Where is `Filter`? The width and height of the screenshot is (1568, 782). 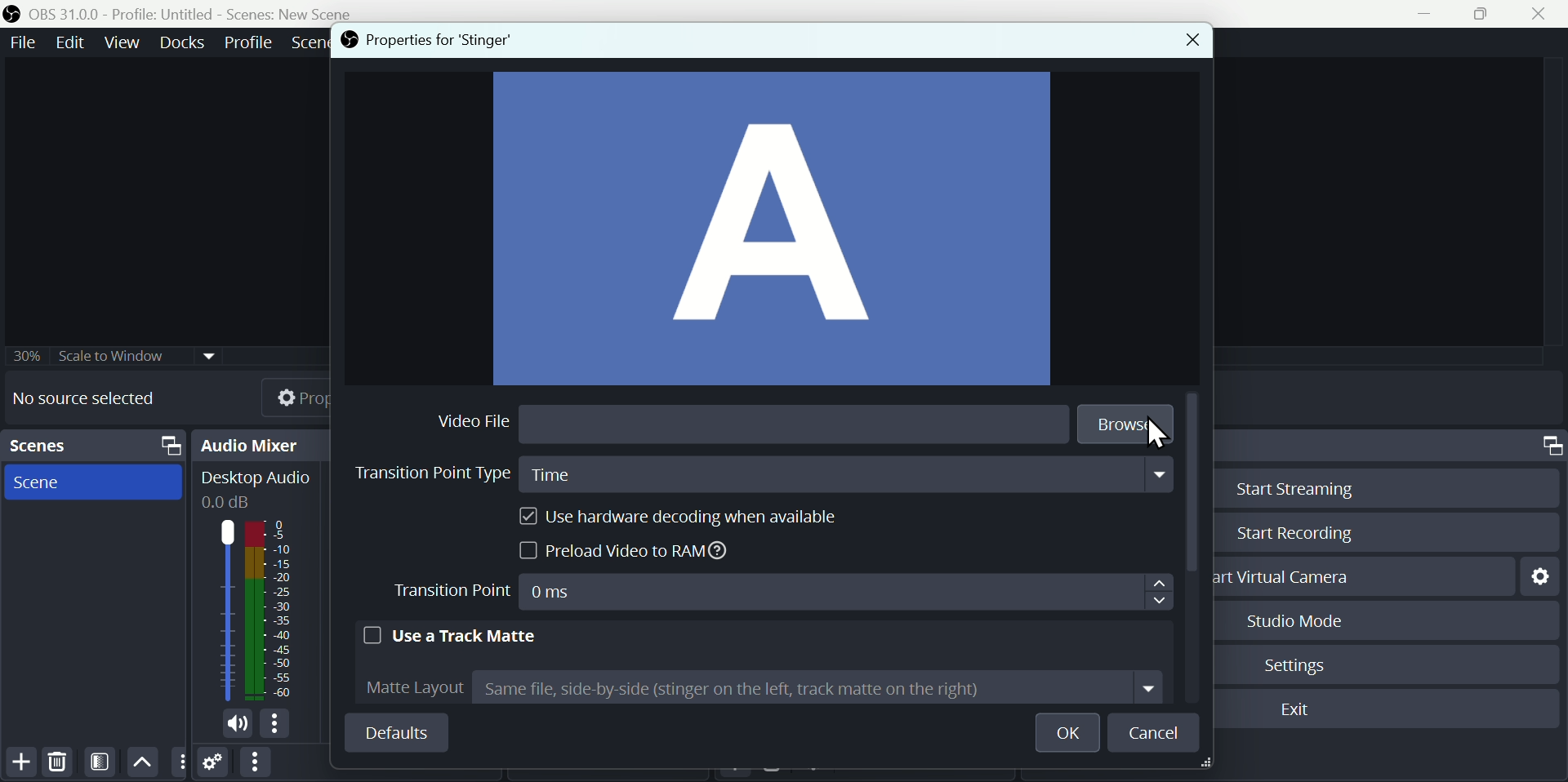
Filter is located at coordinates (103, 762).